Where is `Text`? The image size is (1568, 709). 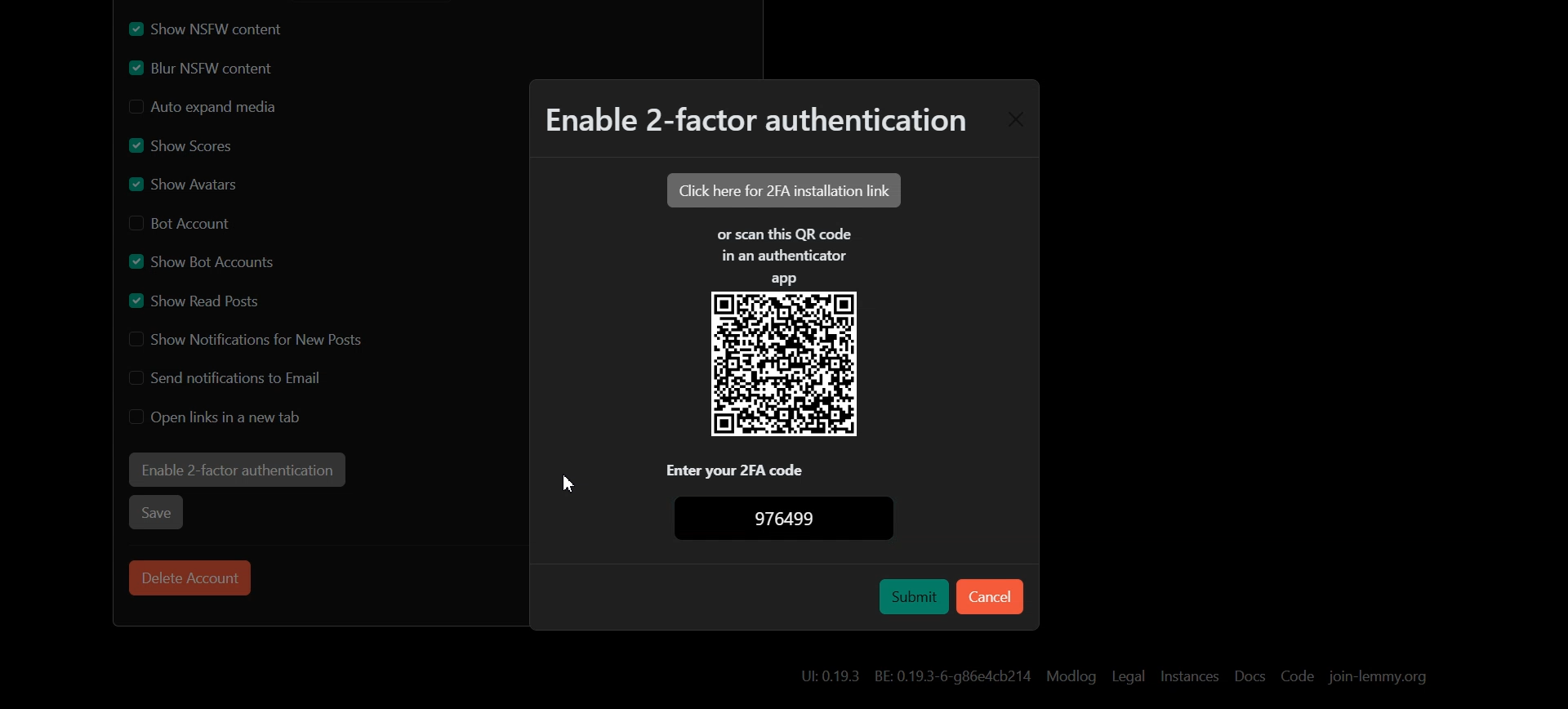 Text is located at coordinates (753, 124).